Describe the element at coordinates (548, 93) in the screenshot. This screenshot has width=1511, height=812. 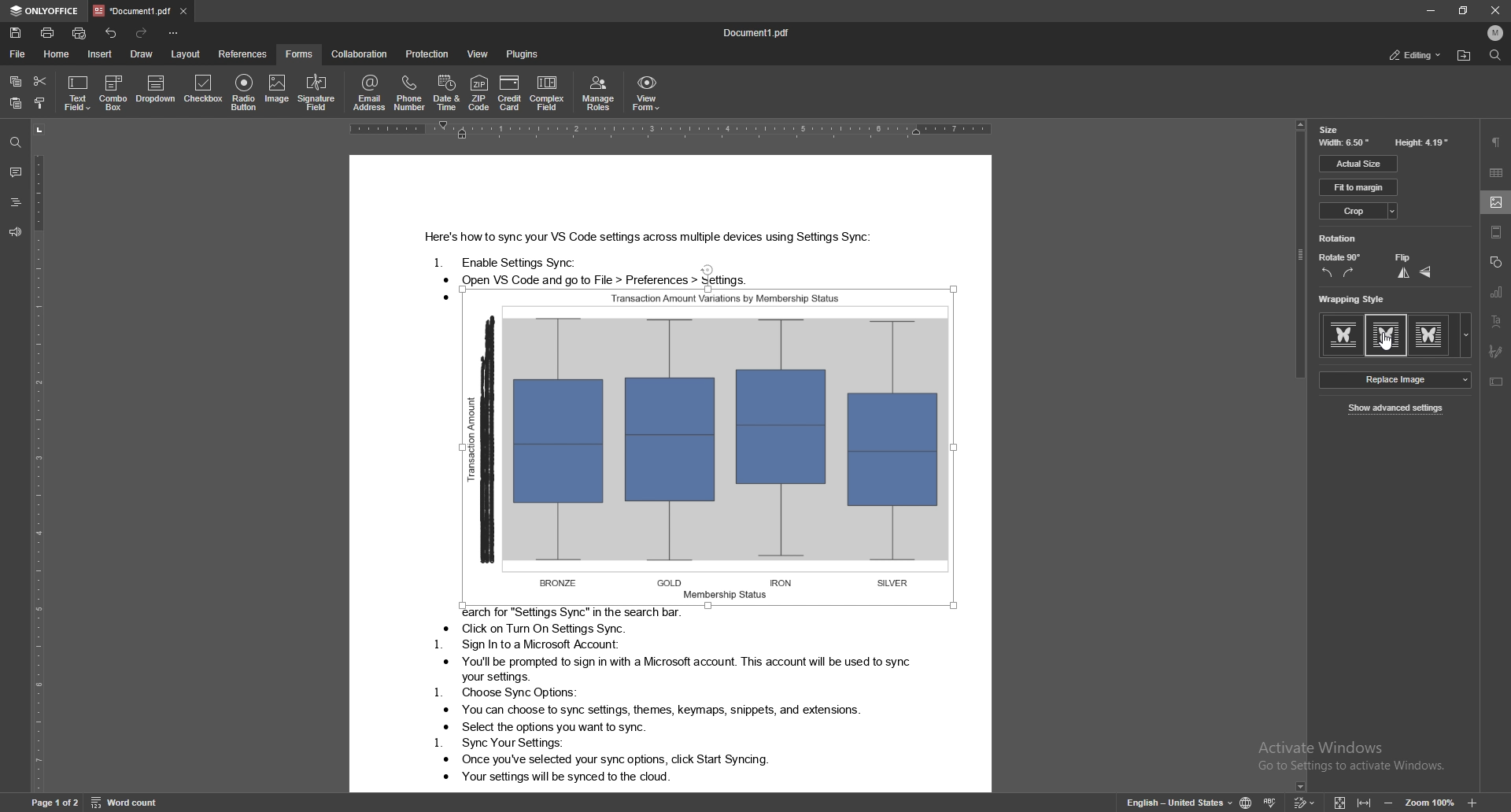
I see `complex field` at that location.